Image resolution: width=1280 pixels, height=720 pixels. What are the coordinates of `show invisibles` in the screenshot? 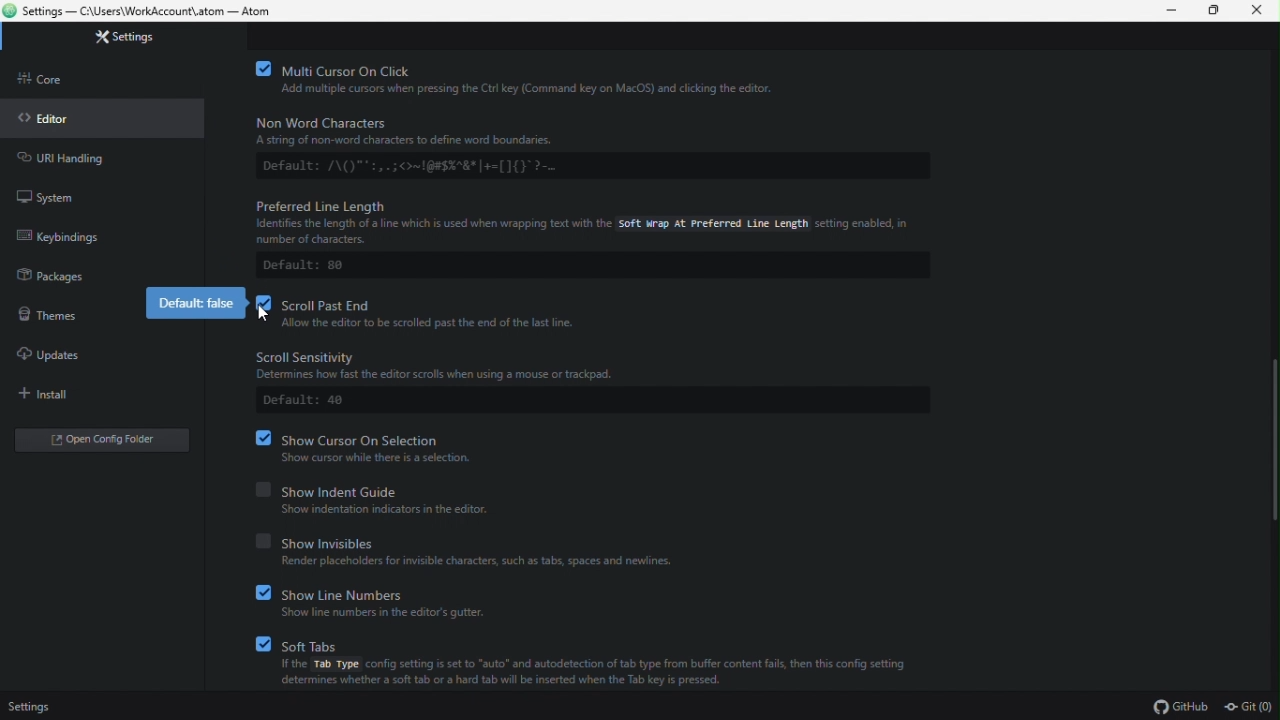 It's located at (482, 543).